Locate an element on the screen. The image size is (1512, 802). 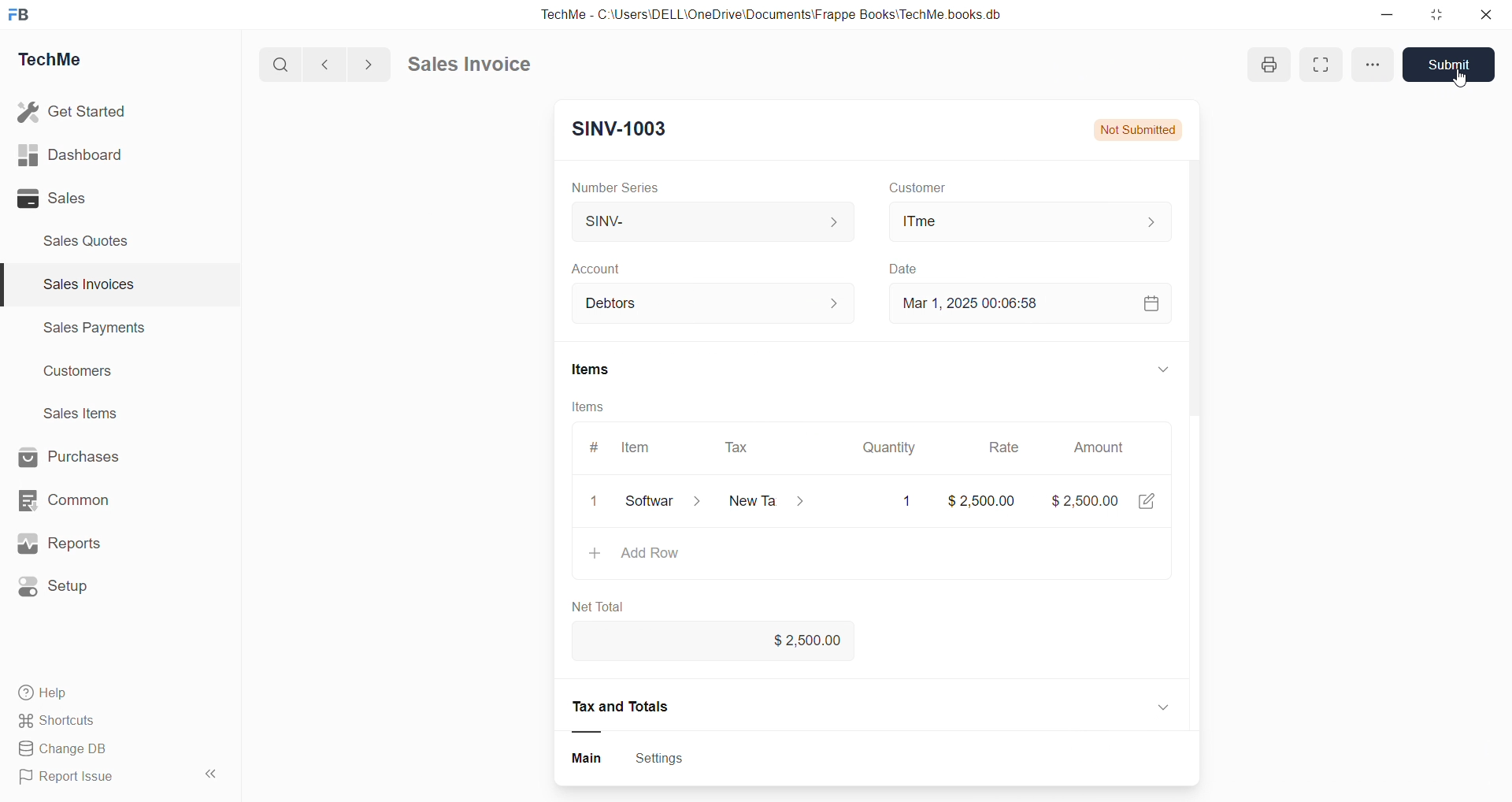
# is located at coordinates (599, 444).